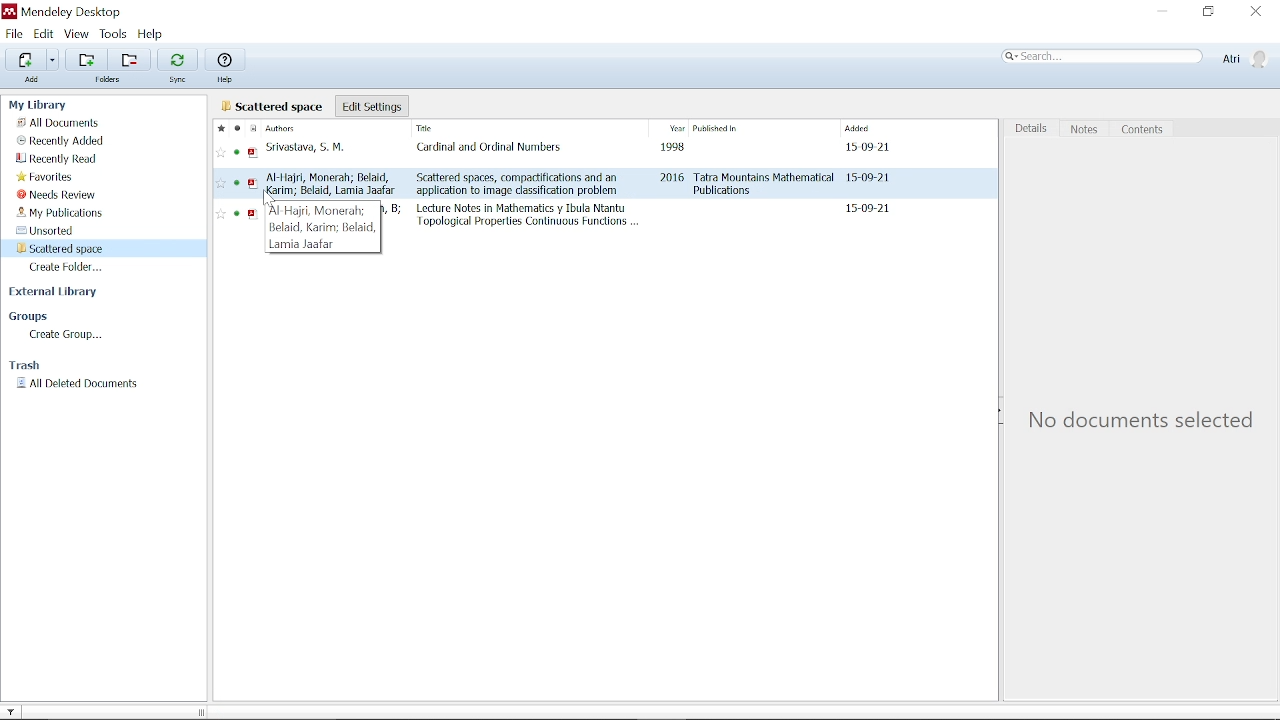 This screenshot has height=720, width=1280. What do you see at coordinates (253, 190) in the screenshot?
I see `PDF` at bounding box center [253, 190].